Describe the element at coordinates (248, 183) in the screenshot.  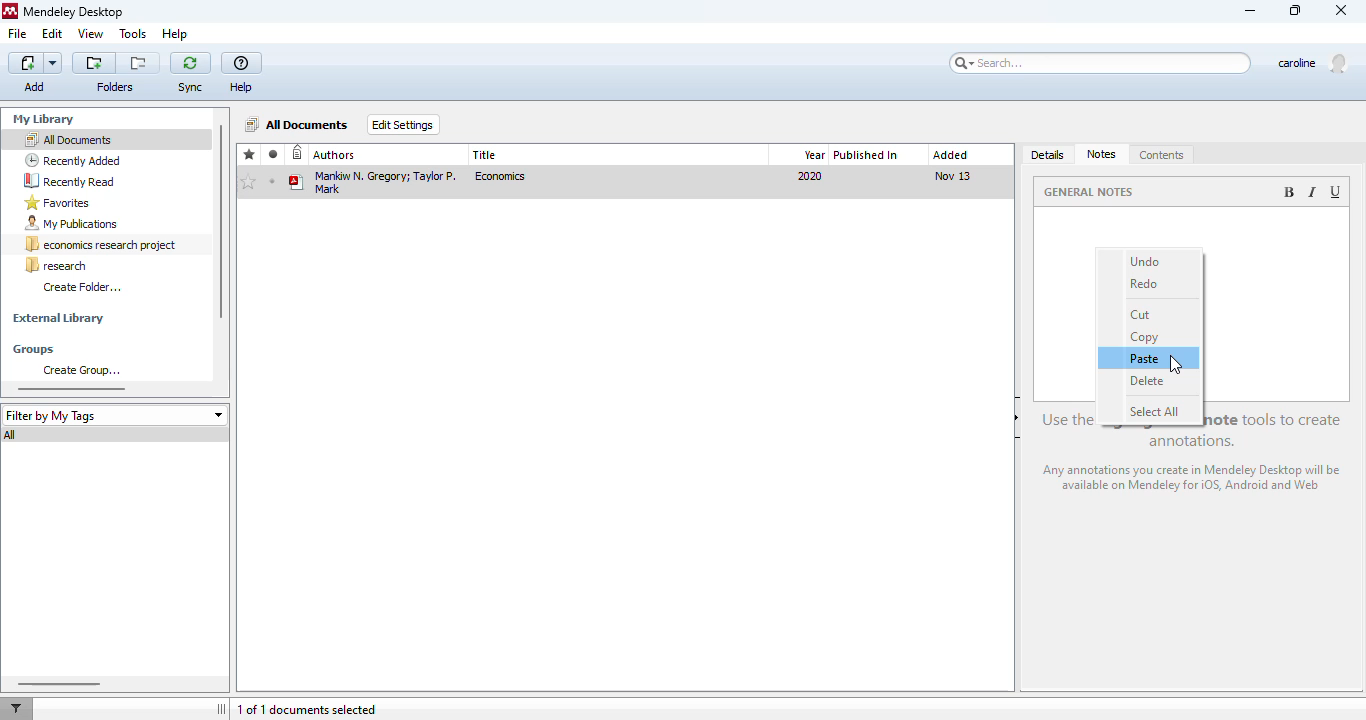
I see `add to favorites` at that location.